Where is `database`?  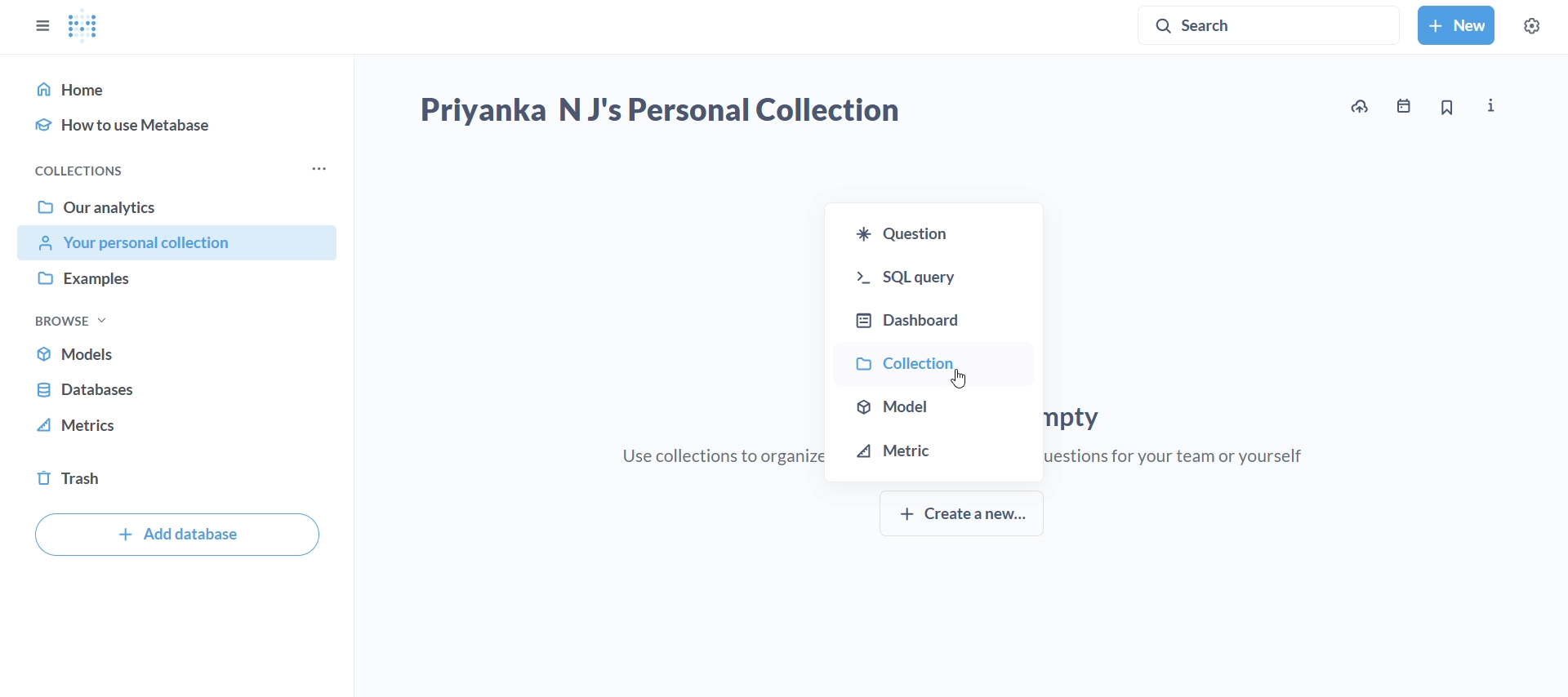 database is located at coordinates (176, 388).